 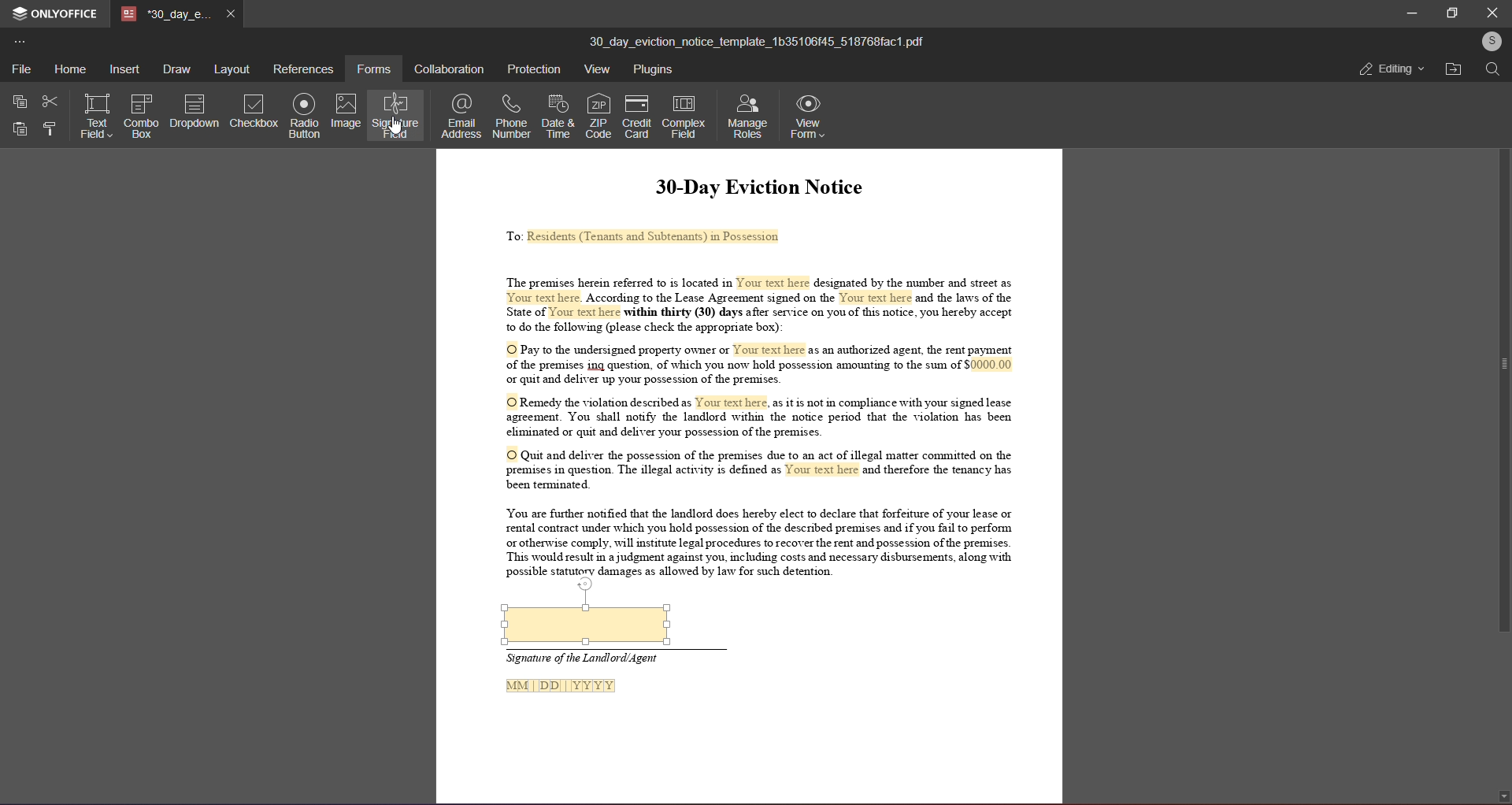 What do you see at coordinates (54, 13) in the screenshot?
I see `onlyoffice application logo and name` at bounding box center [54, 13].